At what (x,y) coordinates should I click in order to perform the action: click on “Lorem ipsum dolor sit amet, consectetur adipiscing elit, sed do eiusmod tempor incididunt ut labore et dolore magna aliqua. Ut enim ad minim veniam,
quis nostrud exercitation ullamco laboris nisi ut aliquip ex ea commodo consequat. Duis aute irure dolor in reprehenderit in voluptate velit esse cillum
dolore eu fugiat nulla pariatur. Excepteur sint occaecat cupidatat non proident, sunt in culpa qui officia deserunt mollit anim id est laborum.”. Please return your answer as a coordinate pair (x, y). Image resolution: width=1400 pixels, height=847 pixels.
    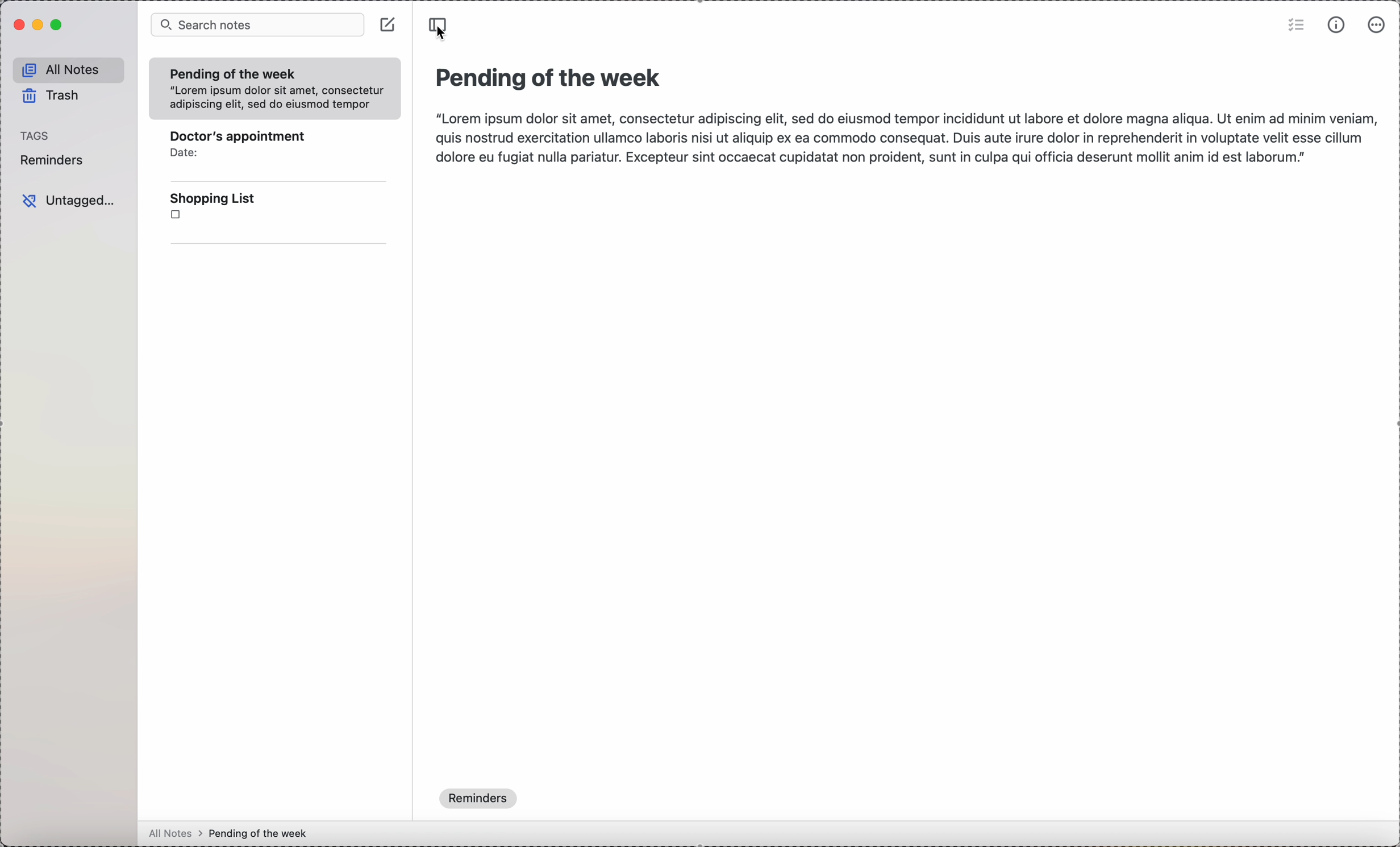
    Looking at the image, I should click on (903, 138).